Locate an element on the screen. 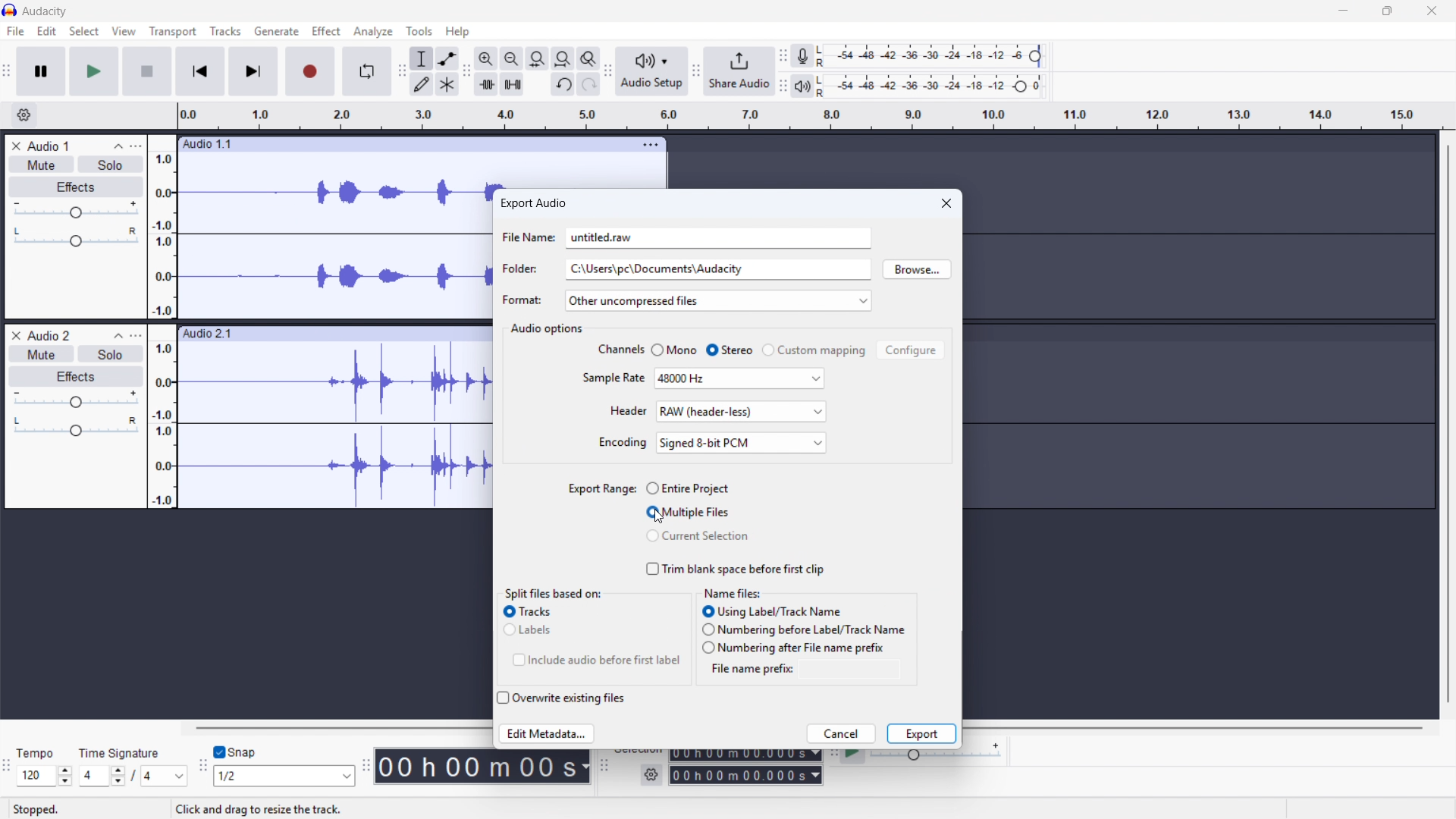 The height and width of the screenshot is (819, 1456). Save to folder  is located at coordinates (717, 269).